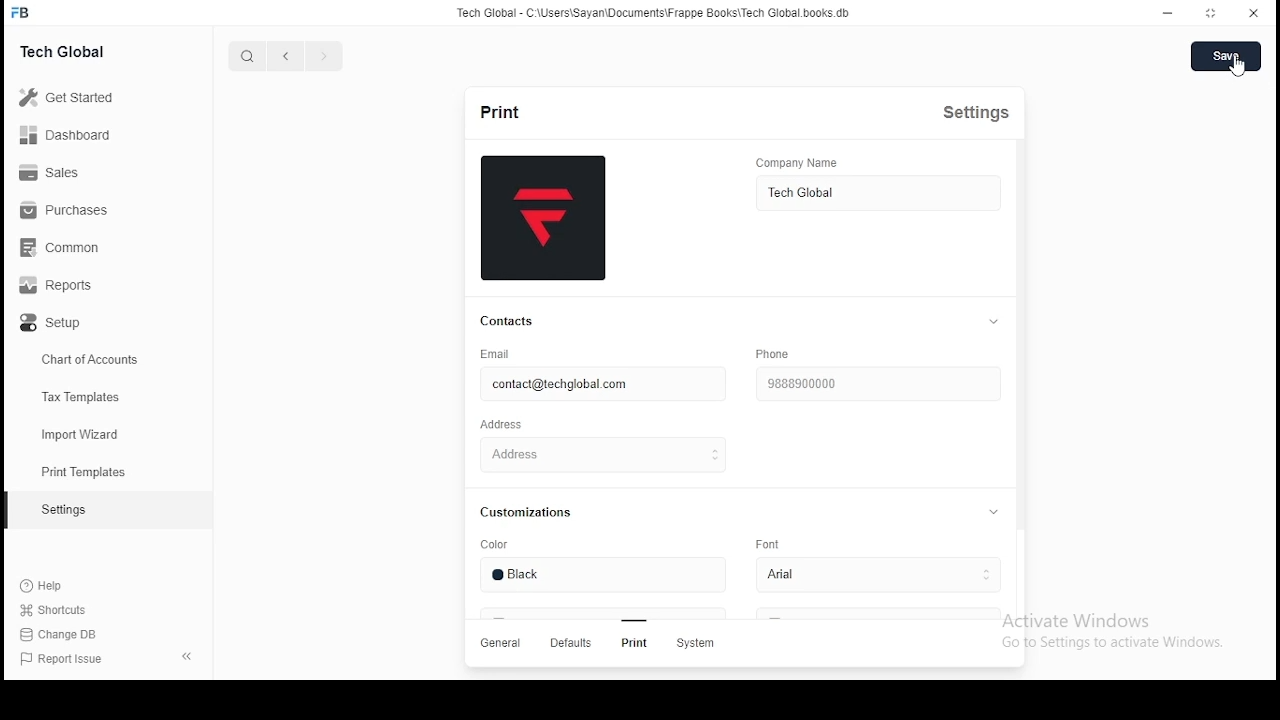  Describe the element at coordinates (86, 399) in the screenshot. I see `Tax Templates` at that location.